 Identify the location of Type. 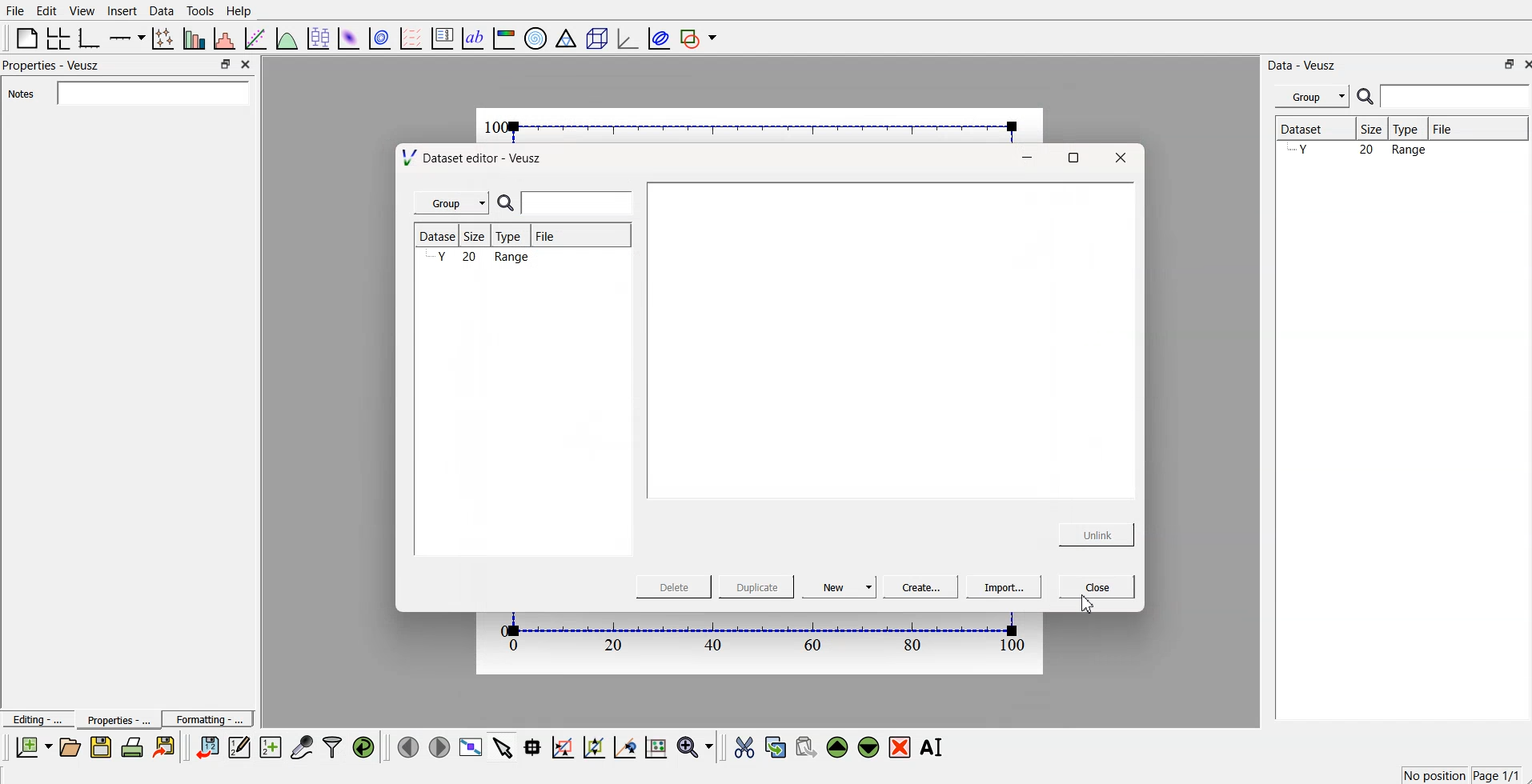
(1411, 129).